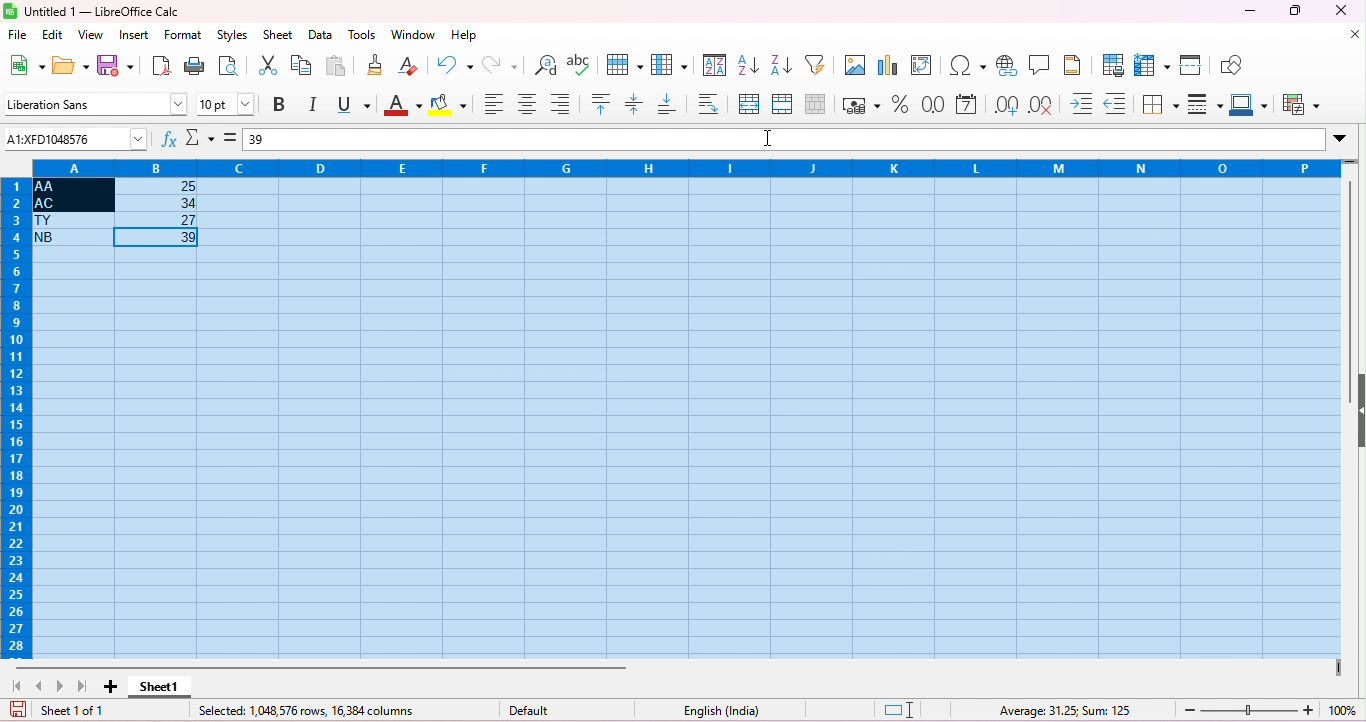 This screenshot has width=1366, height=722. Describe the element at coordinates (687, 419) in the screenshot. I see `cells selected` at that location.